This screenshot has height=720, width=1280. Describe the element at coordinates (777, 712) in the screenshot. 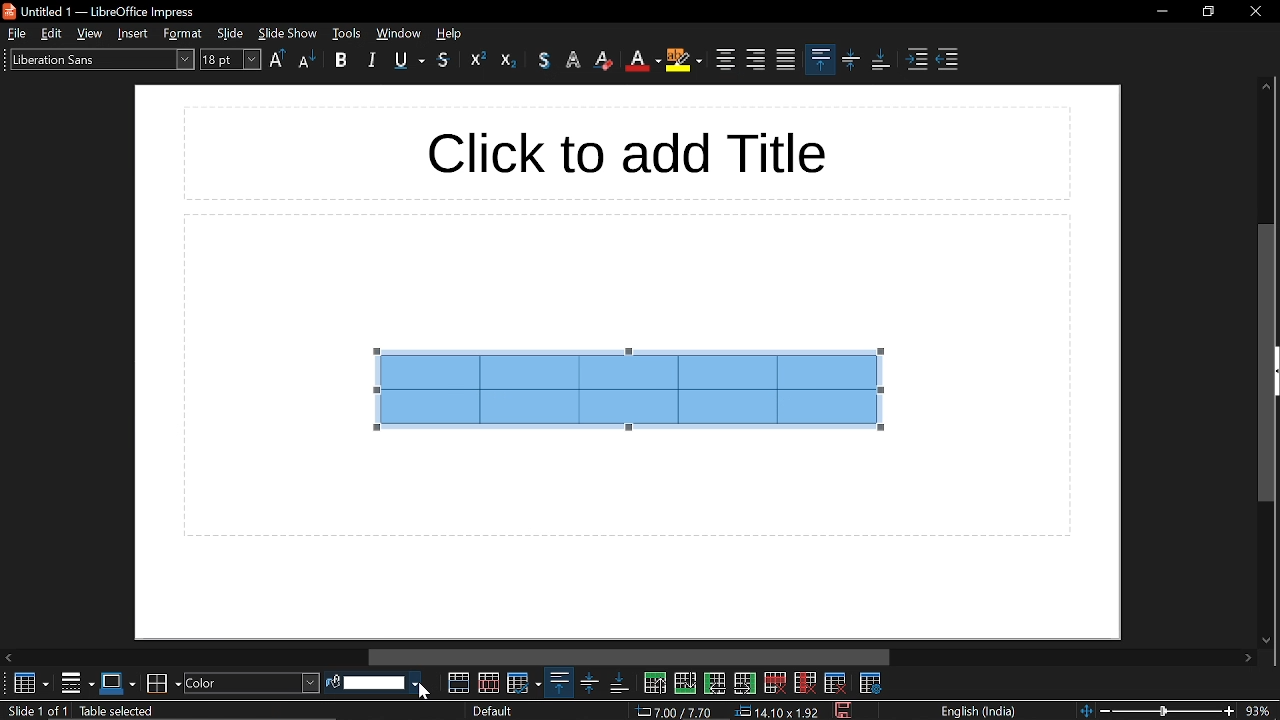

I see `dimension` at that location.